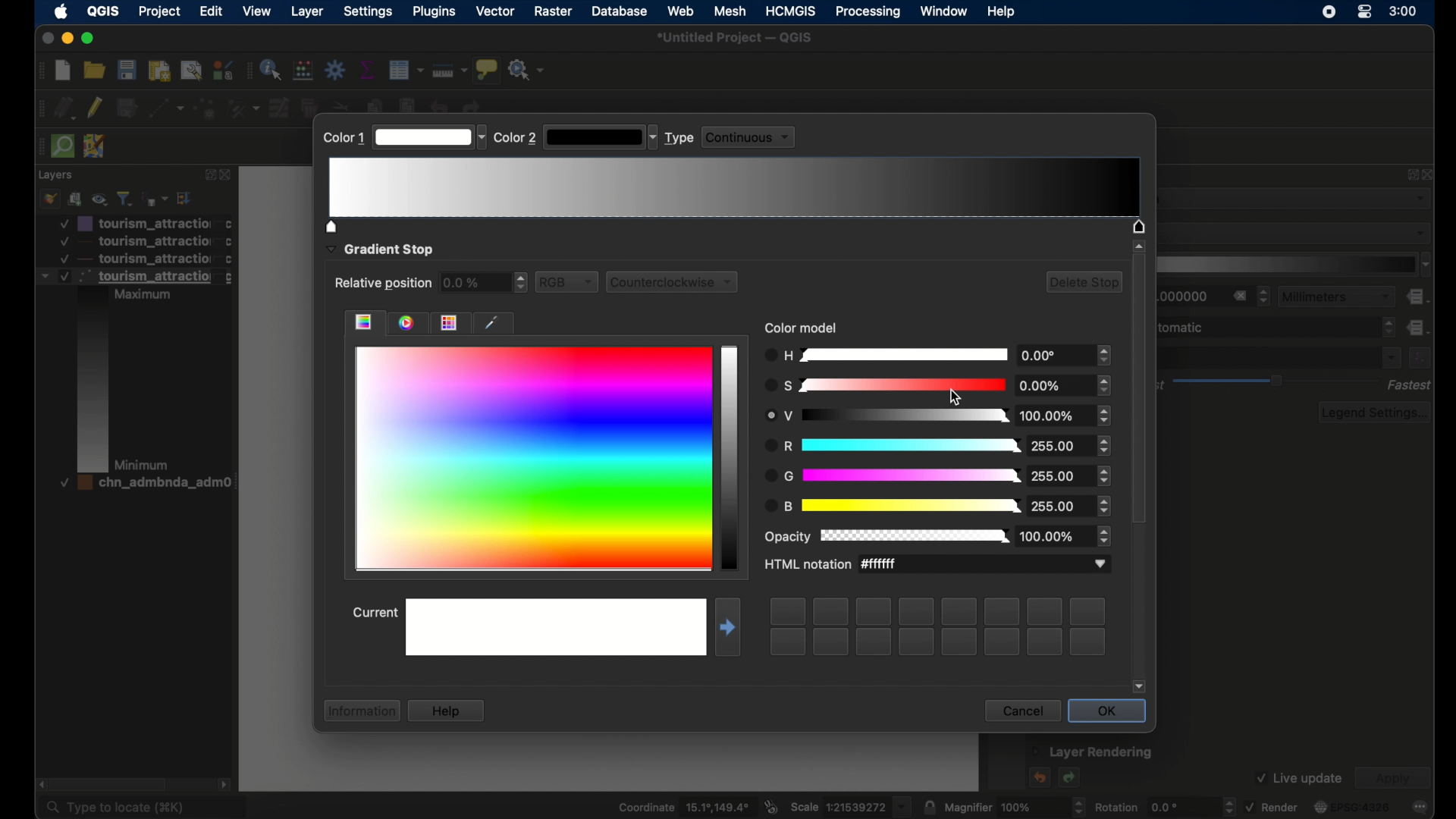 This screenshot has height=819, width=1456. Describe the element at coordinates (142, 808) in the screenshot. I see `type to locate` at that location.